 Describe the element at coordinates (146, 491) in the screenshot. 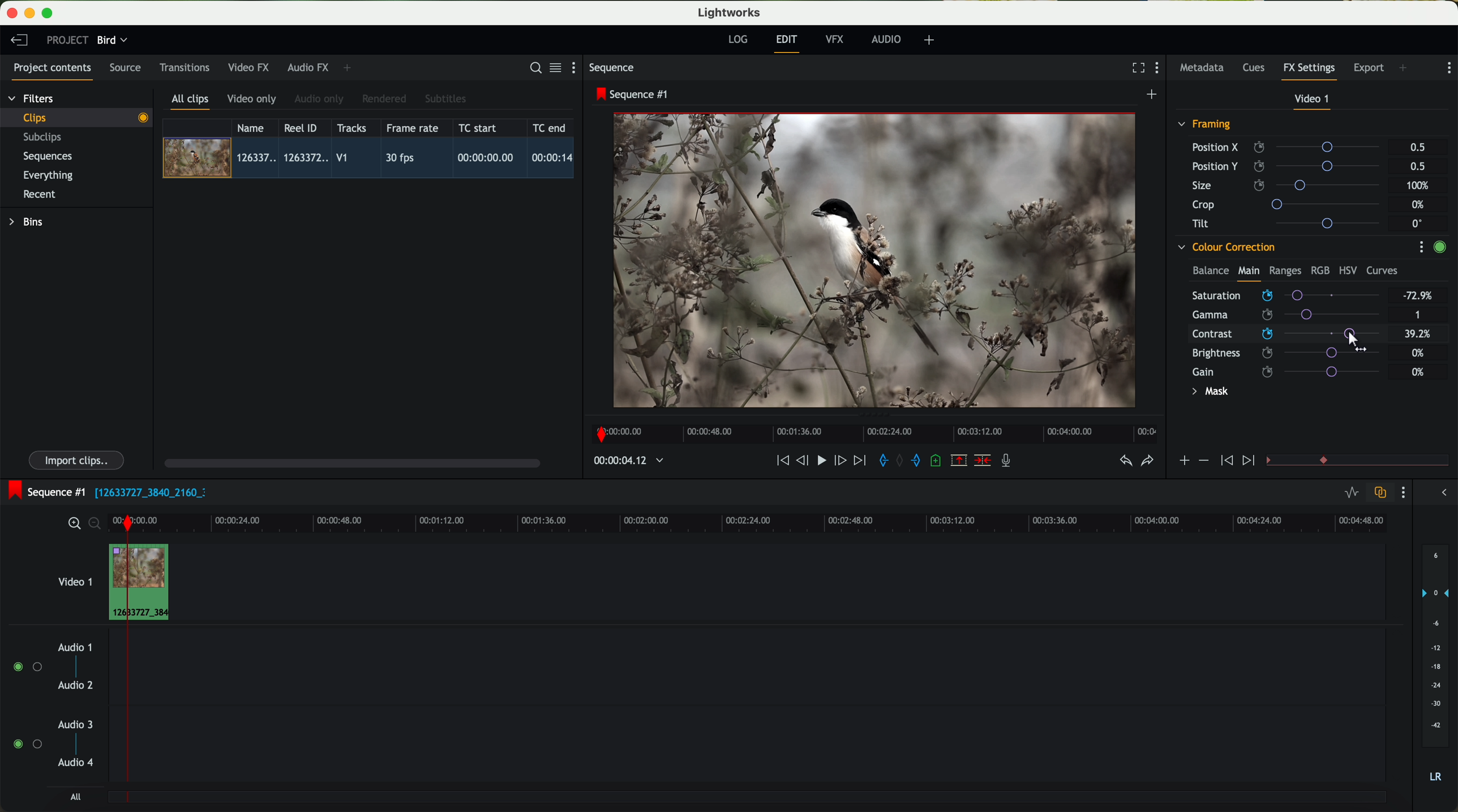

I see `black` at that location.